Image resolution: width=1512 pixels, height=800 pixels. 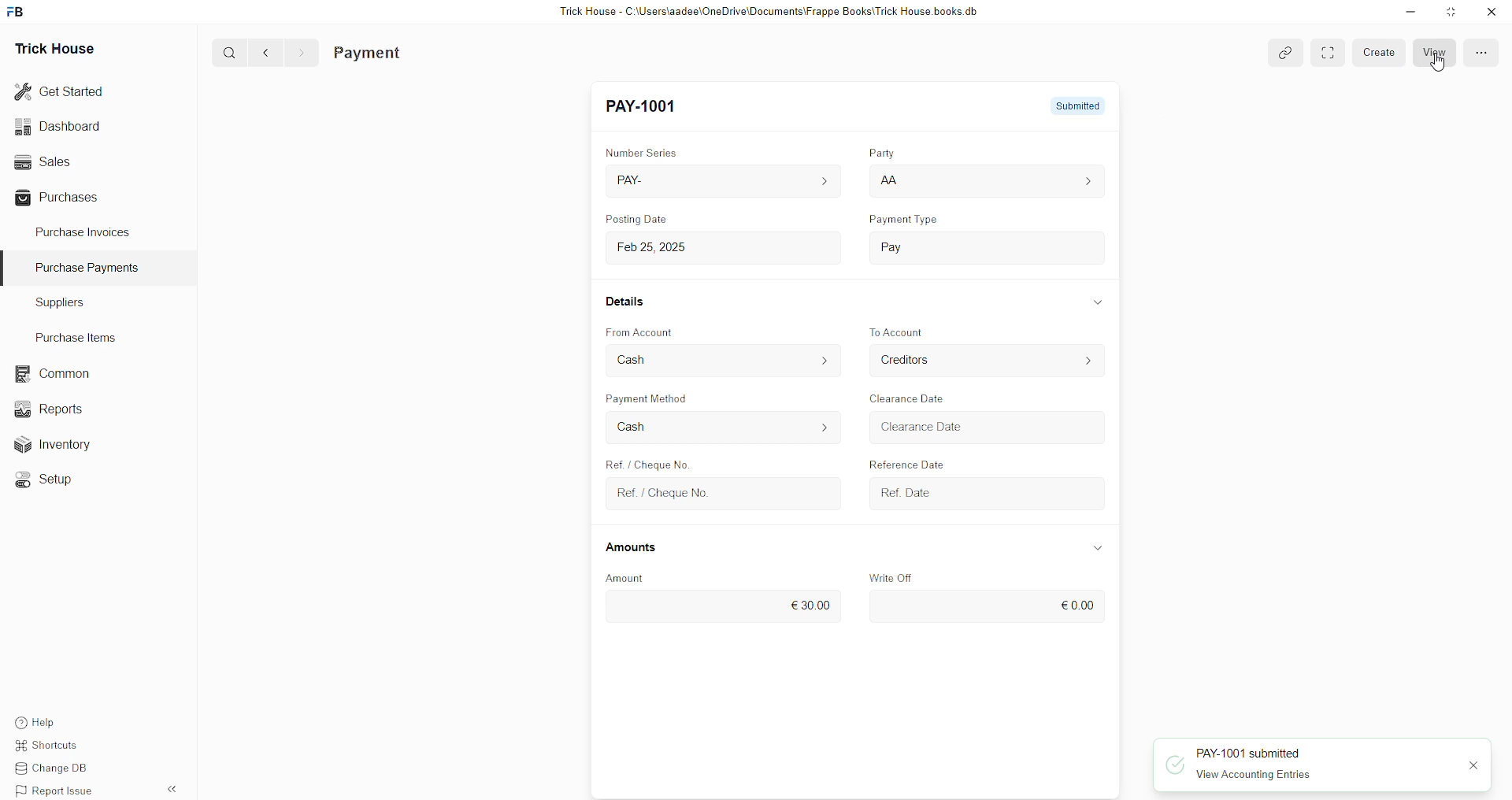 I want to click on Clearance Date, so click(x=916, y=399).